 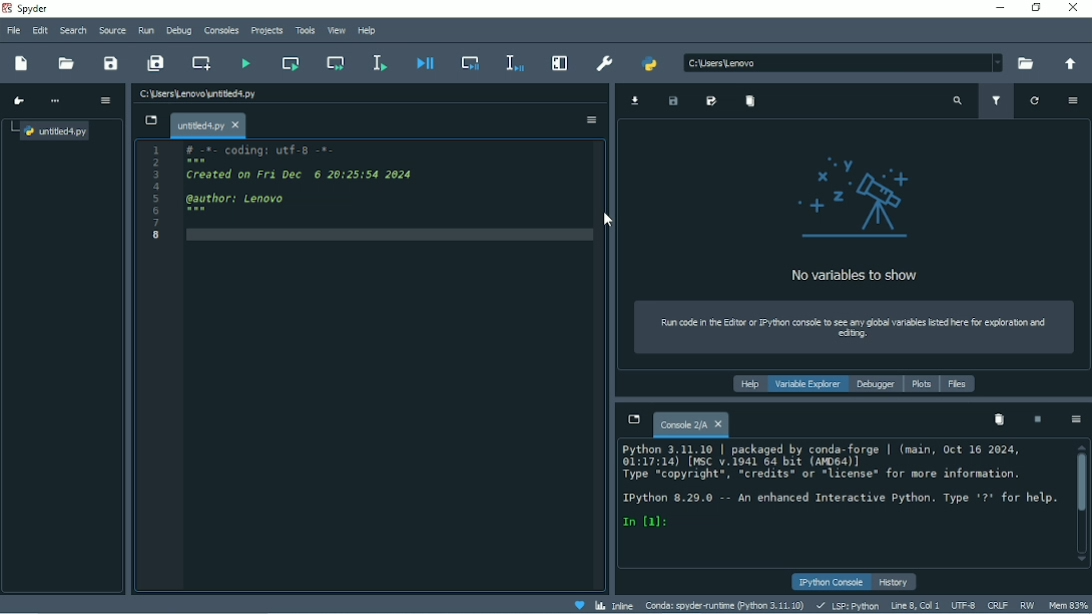 What do you see at coordinates (808, 384) in the screenshot?
I see `Variable explorer` at bounding box center [808, 384].